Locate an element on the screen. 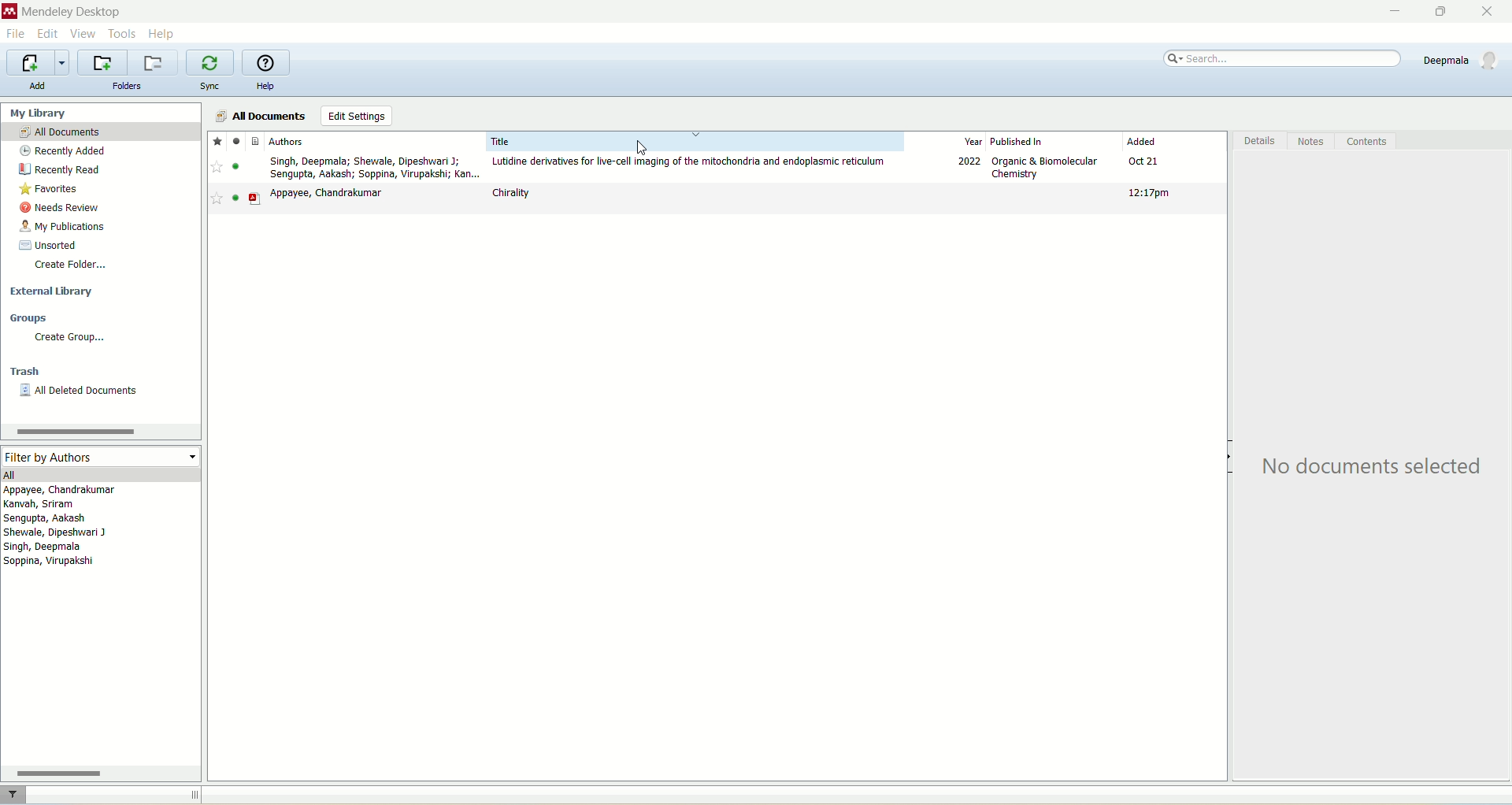 This screenshot has height=805, width=1512. create group is located at coordinates (68, 340).